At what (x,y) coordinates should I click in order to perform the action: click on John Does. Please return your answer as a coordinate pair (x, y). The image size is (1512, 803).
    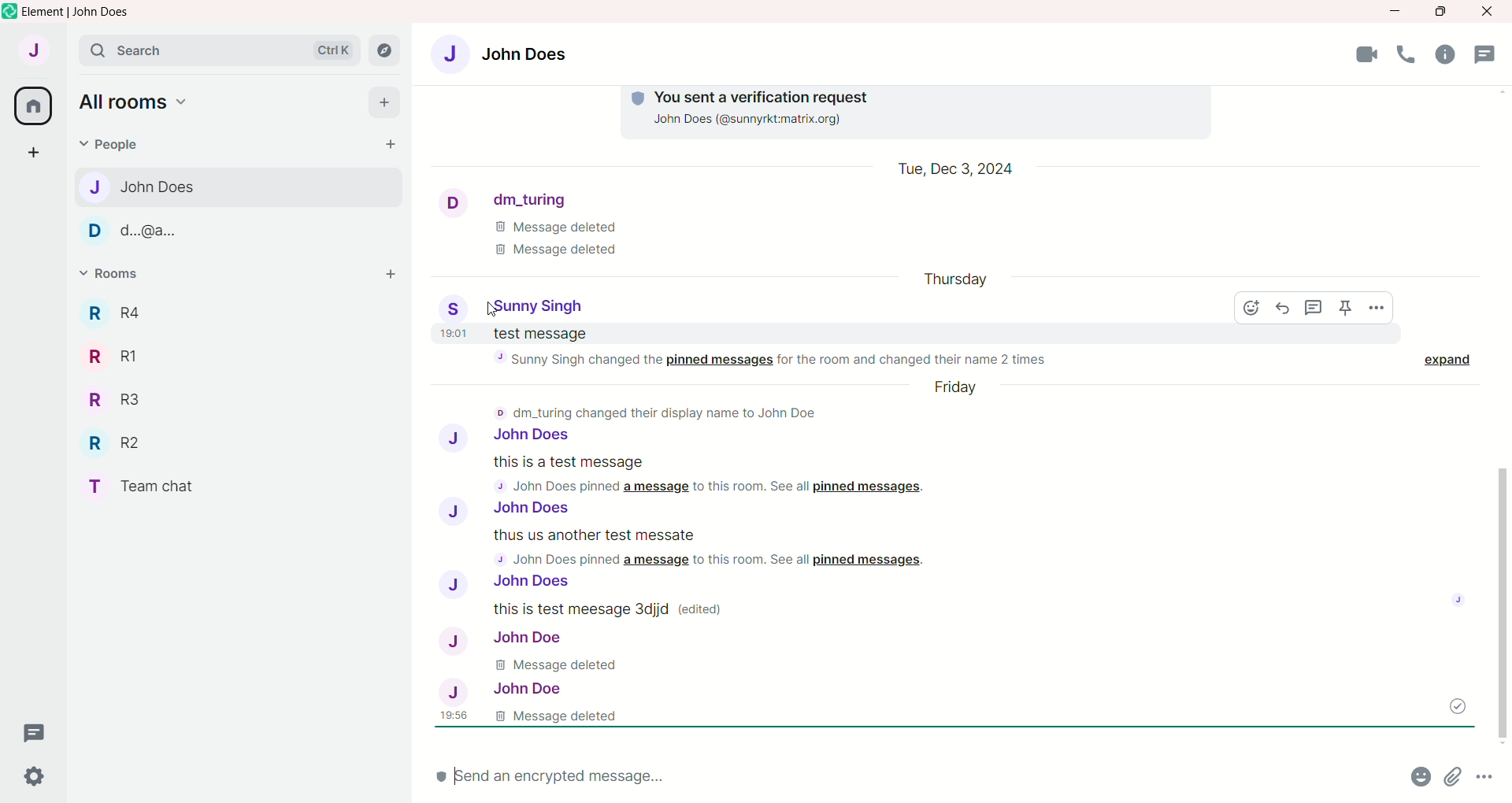
    Looking at the image, I should click on (503, 436).